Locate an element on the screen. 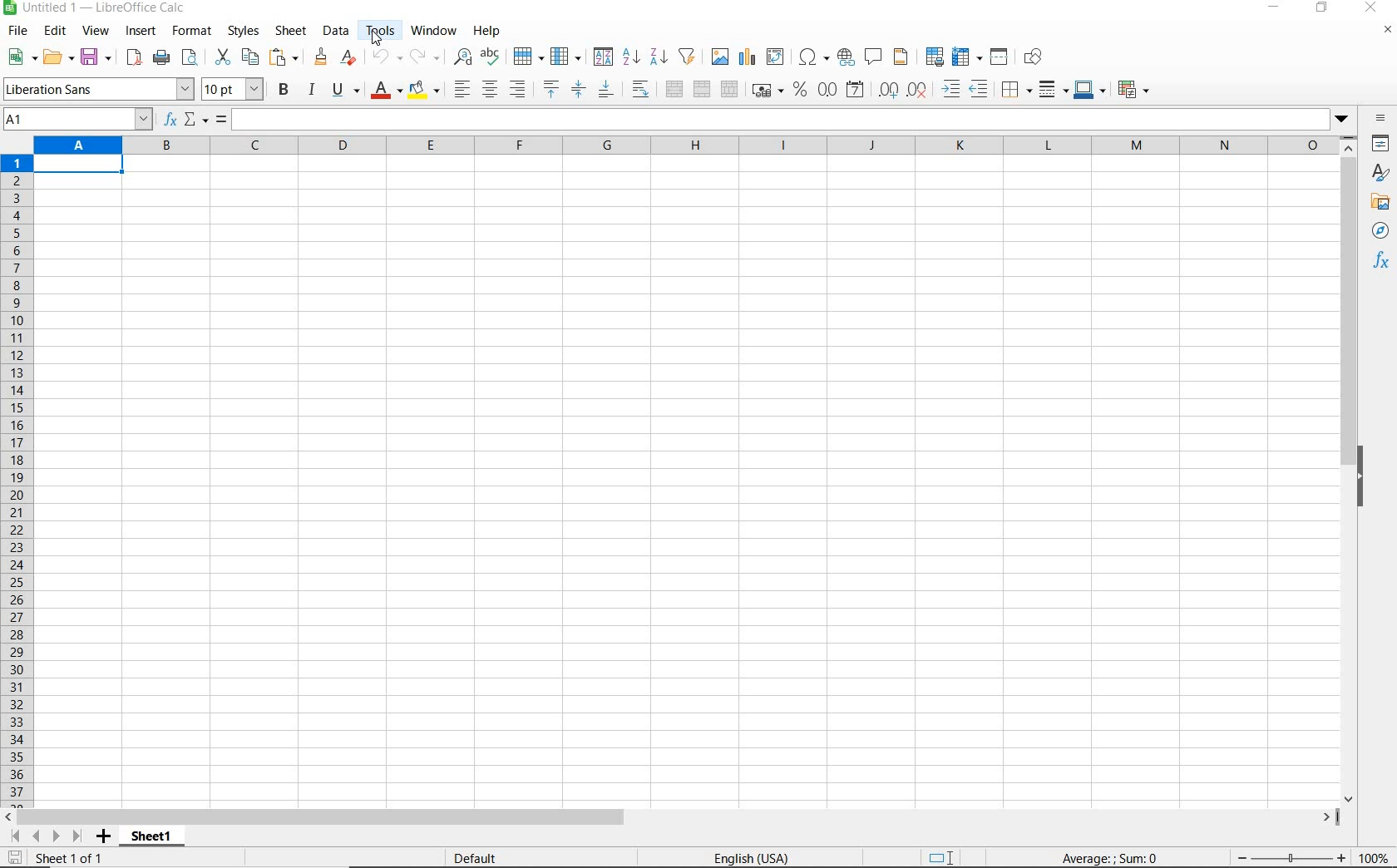  SELECT FUNCTION is located at coordinates (198, 119).